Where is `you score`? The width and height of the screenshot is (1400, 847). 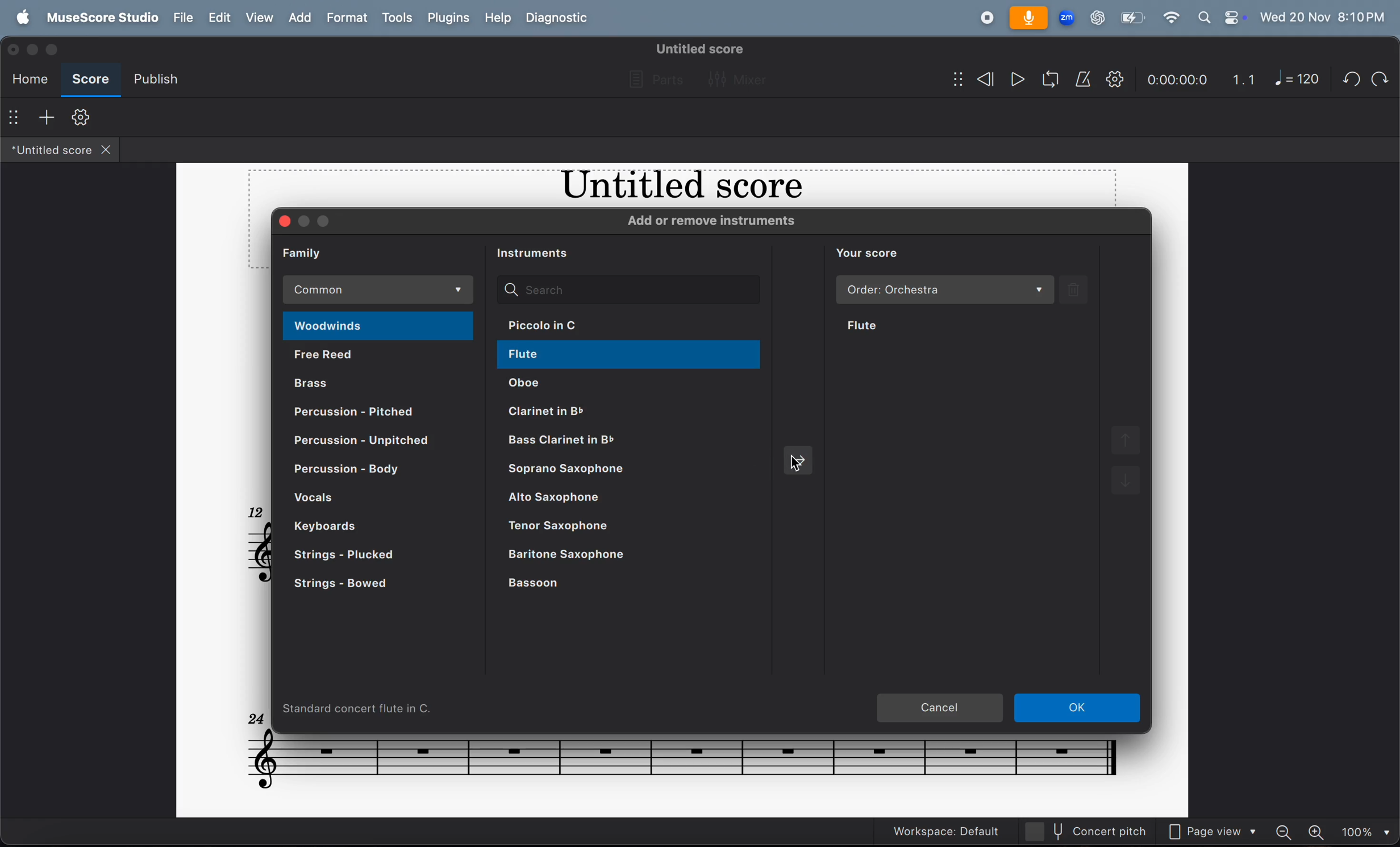 you score is located at coordinates (876, 253).